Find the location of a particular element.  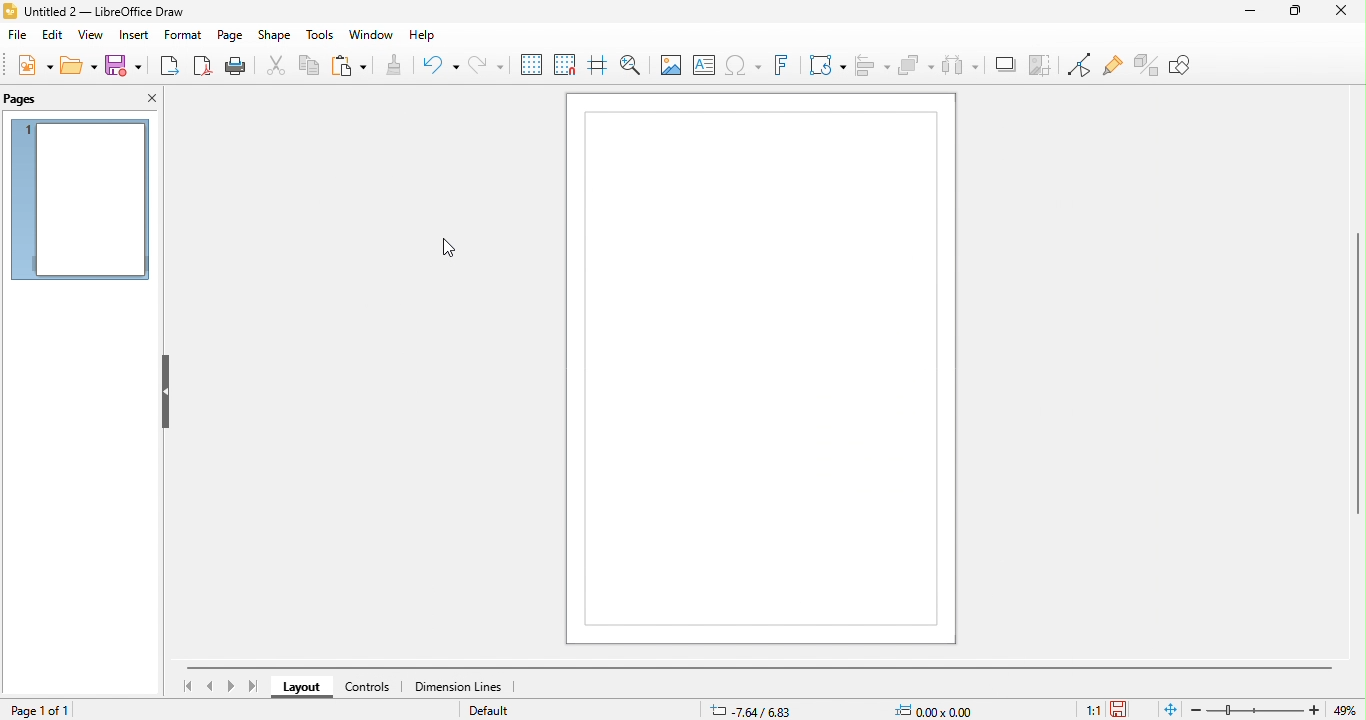

save is located at coordinates (1131, 705).